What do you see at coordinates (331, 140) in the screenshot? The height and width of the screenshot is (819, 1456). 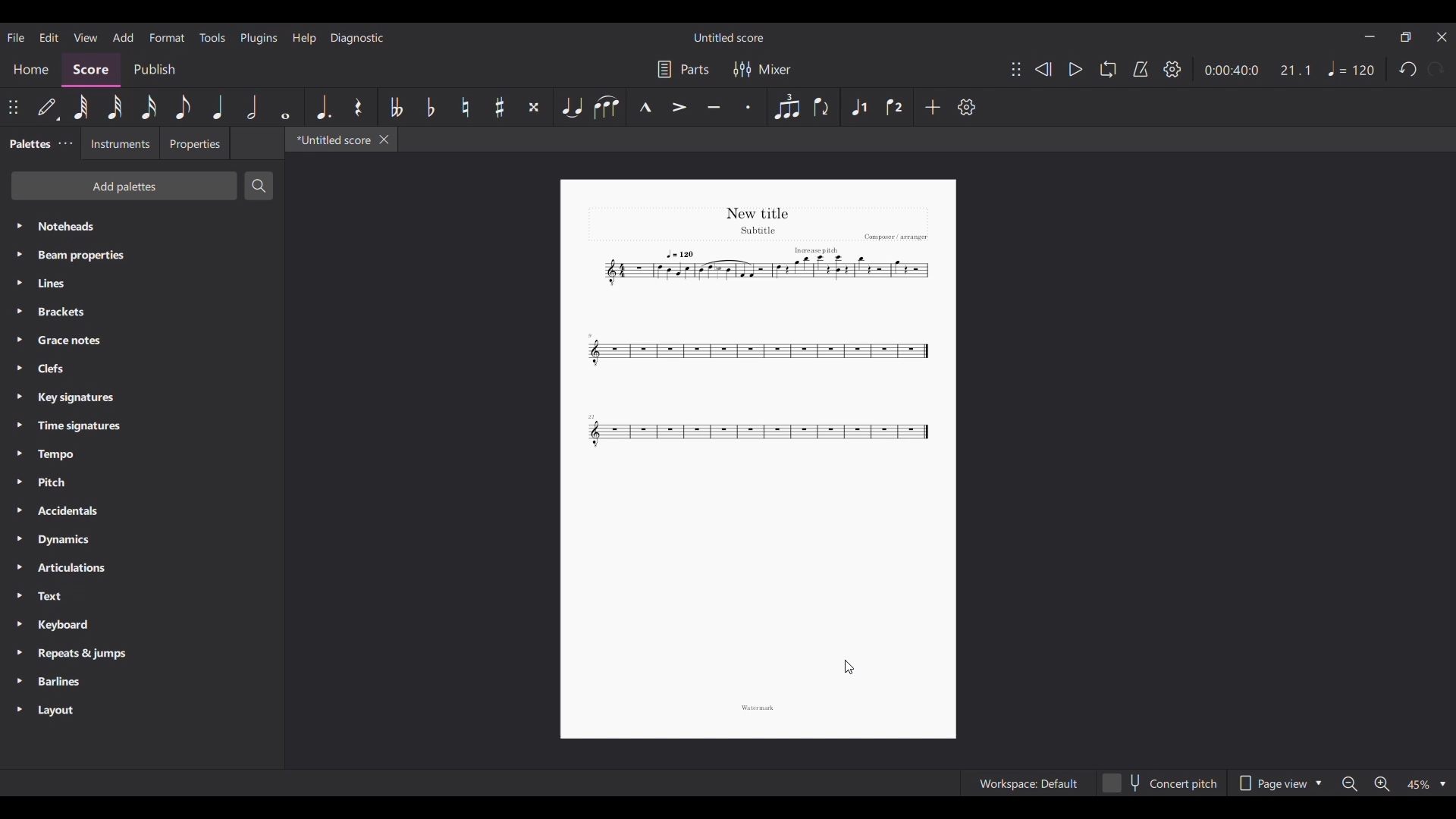 I see `*Untitled score, current tab` at bounding box center [331, 140].